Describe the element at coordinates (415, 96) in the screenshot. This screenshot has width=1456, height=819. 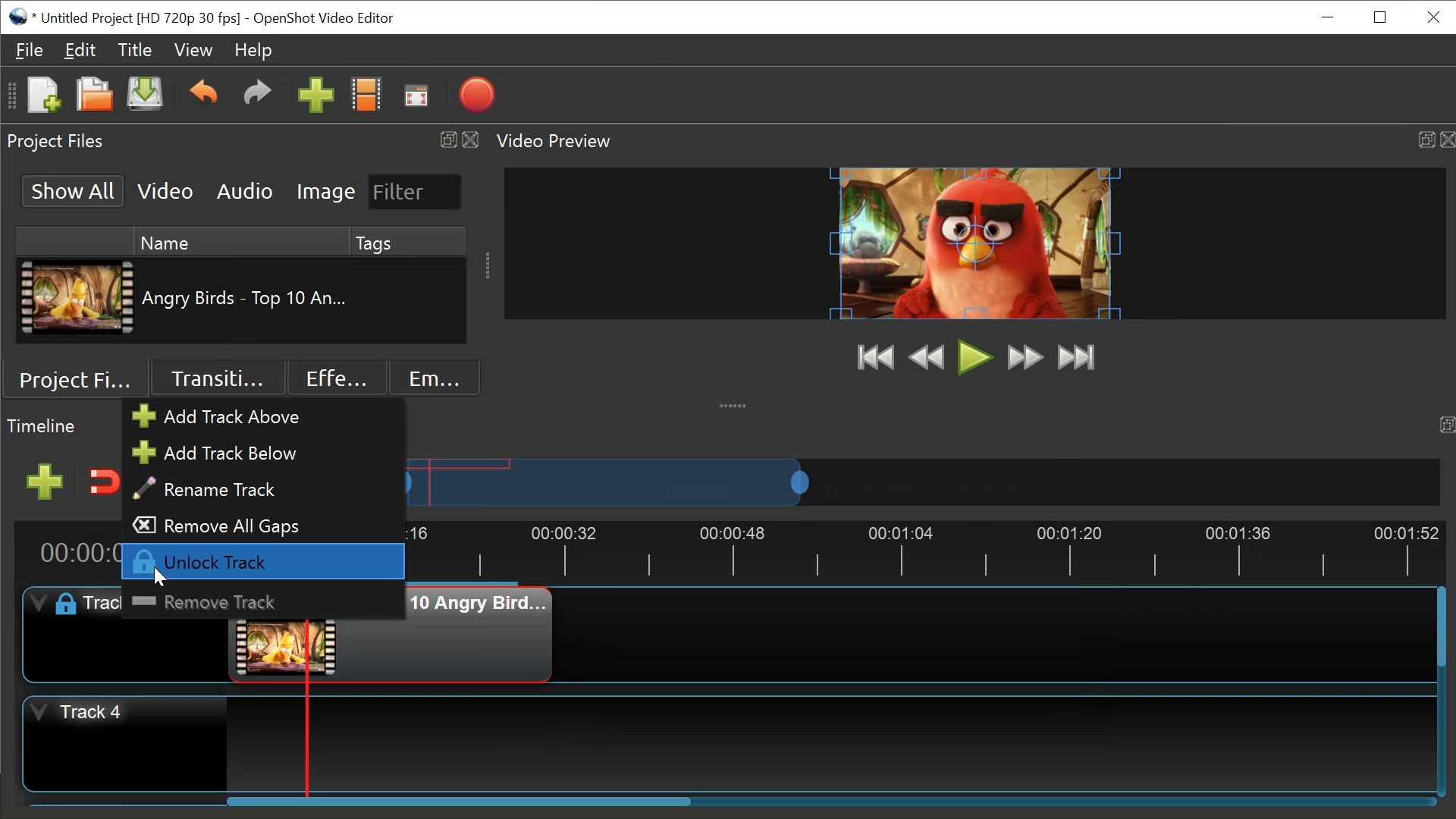
I see `Fullscreen` at that location.